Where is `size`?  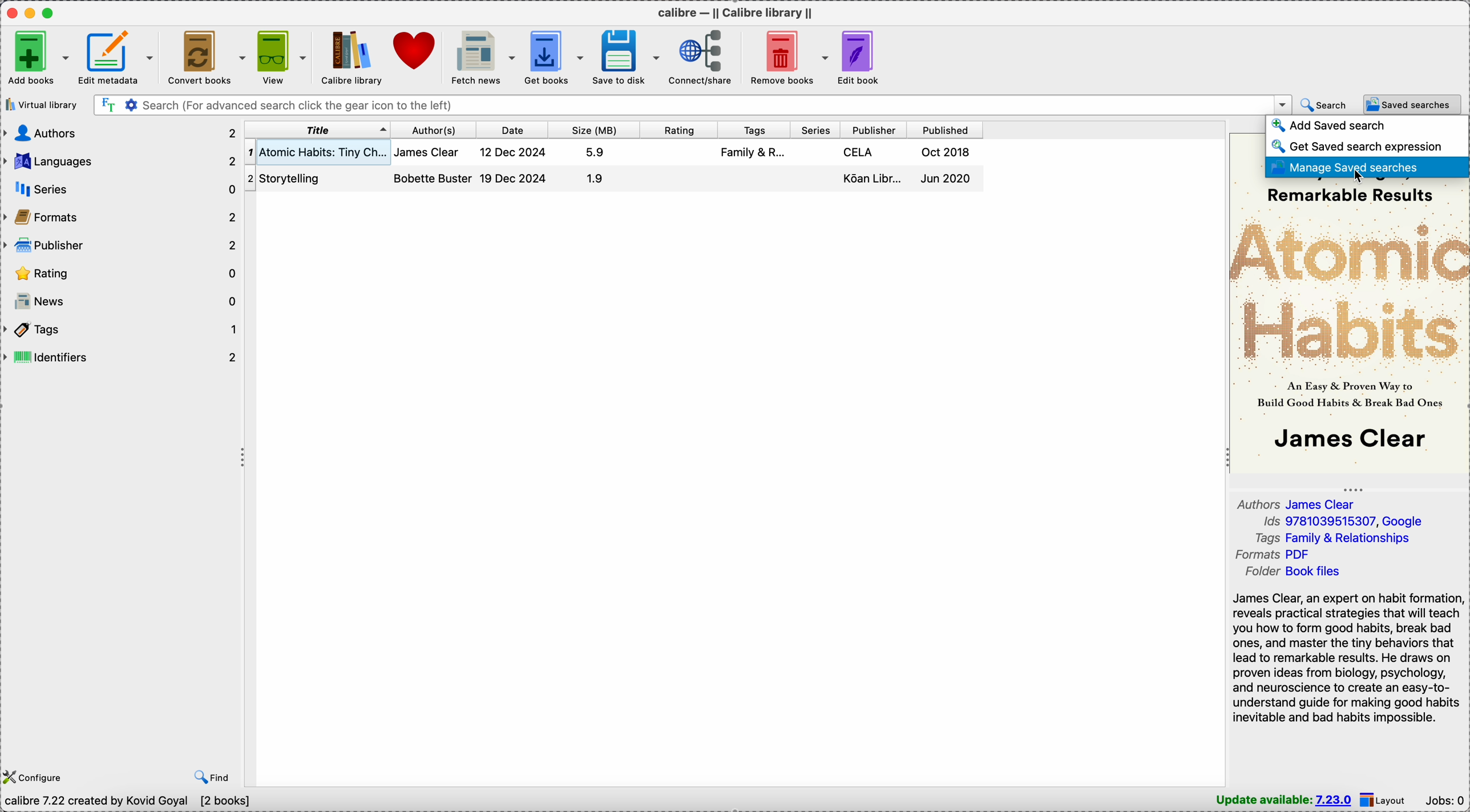
size is located at coordinates (592, 130).